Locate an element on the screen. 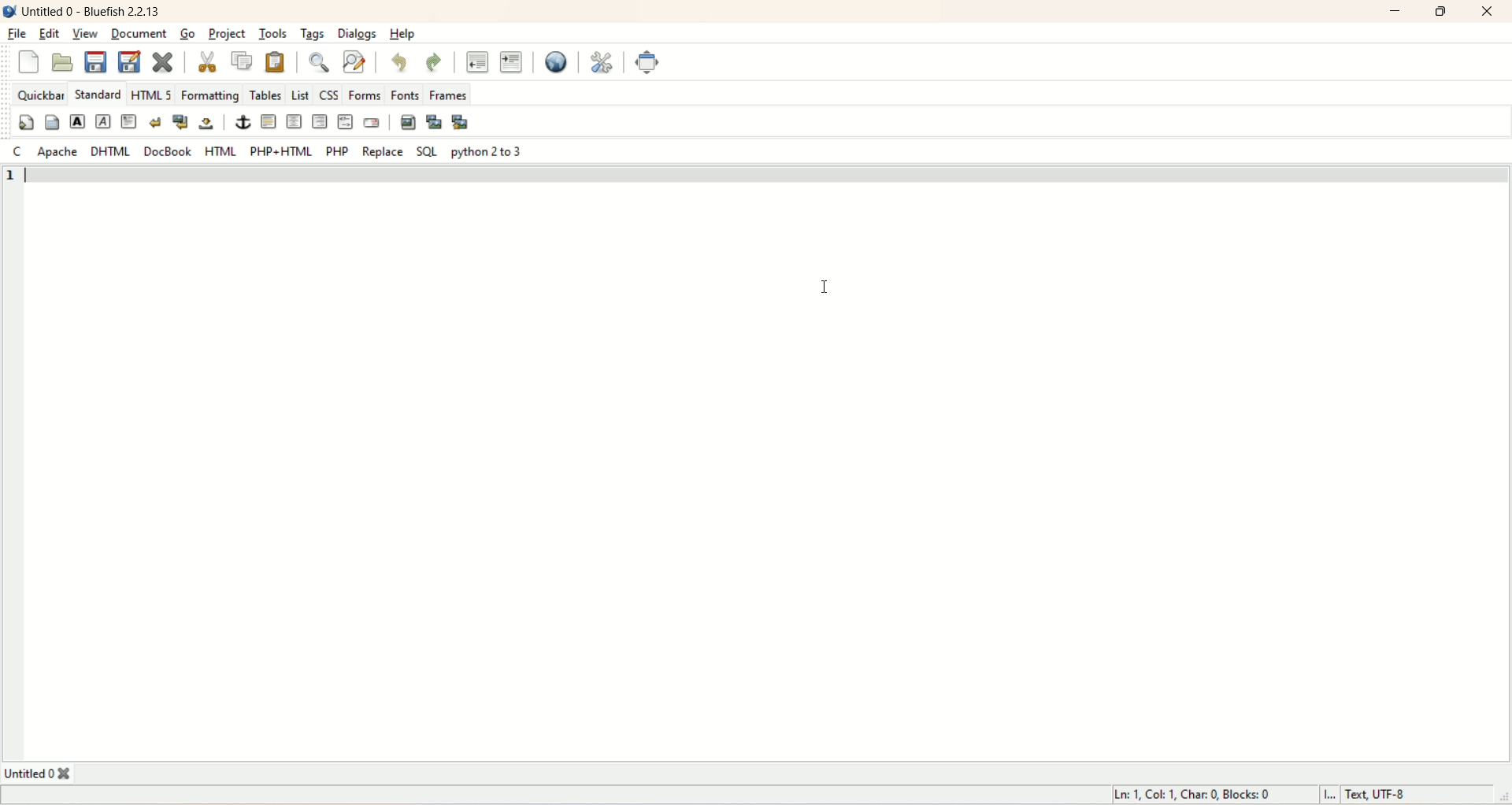  MULTI-THUMBNAIL is located at coordinates (463, 123).